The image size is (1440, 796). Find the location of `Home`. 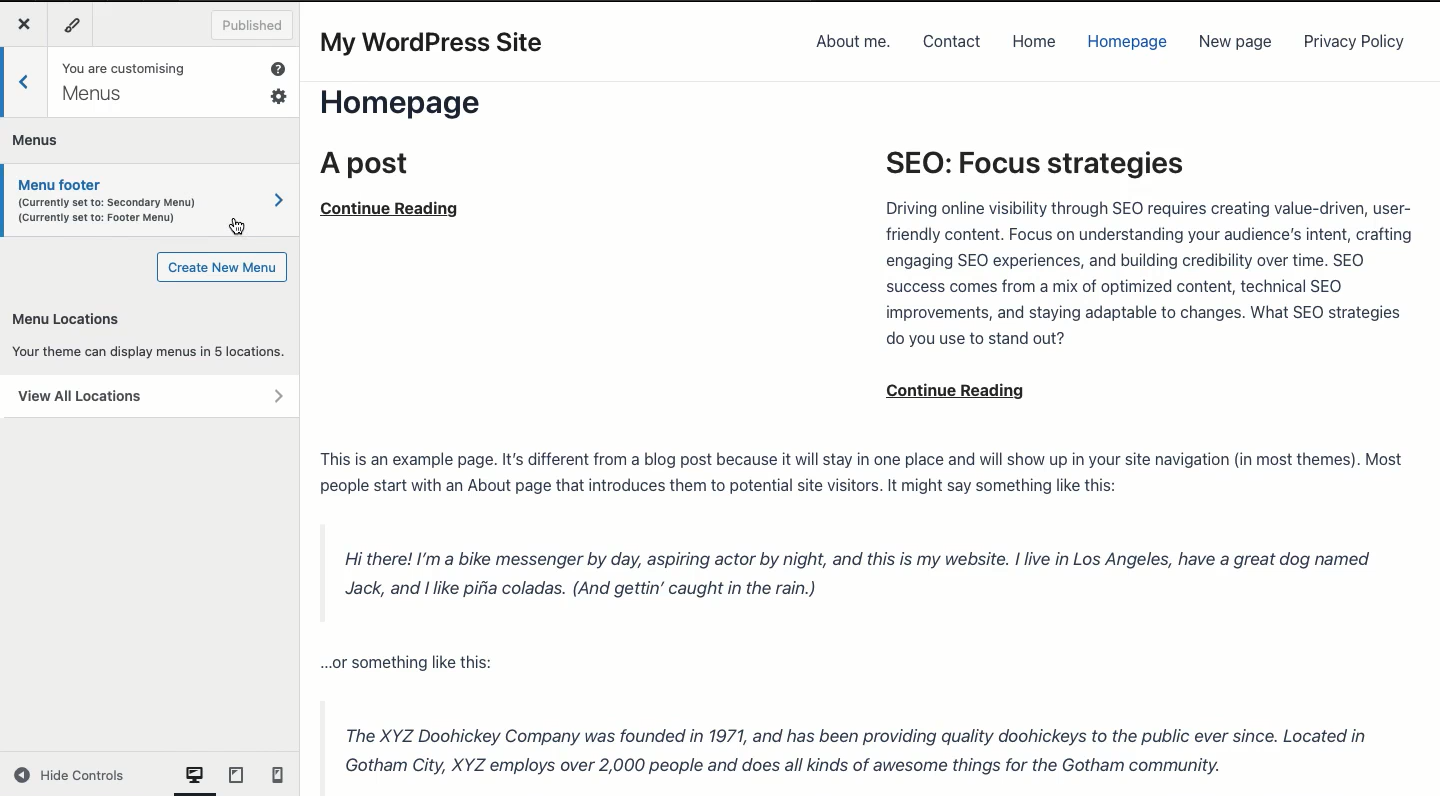

Home is located at coordinates (1034, 43).